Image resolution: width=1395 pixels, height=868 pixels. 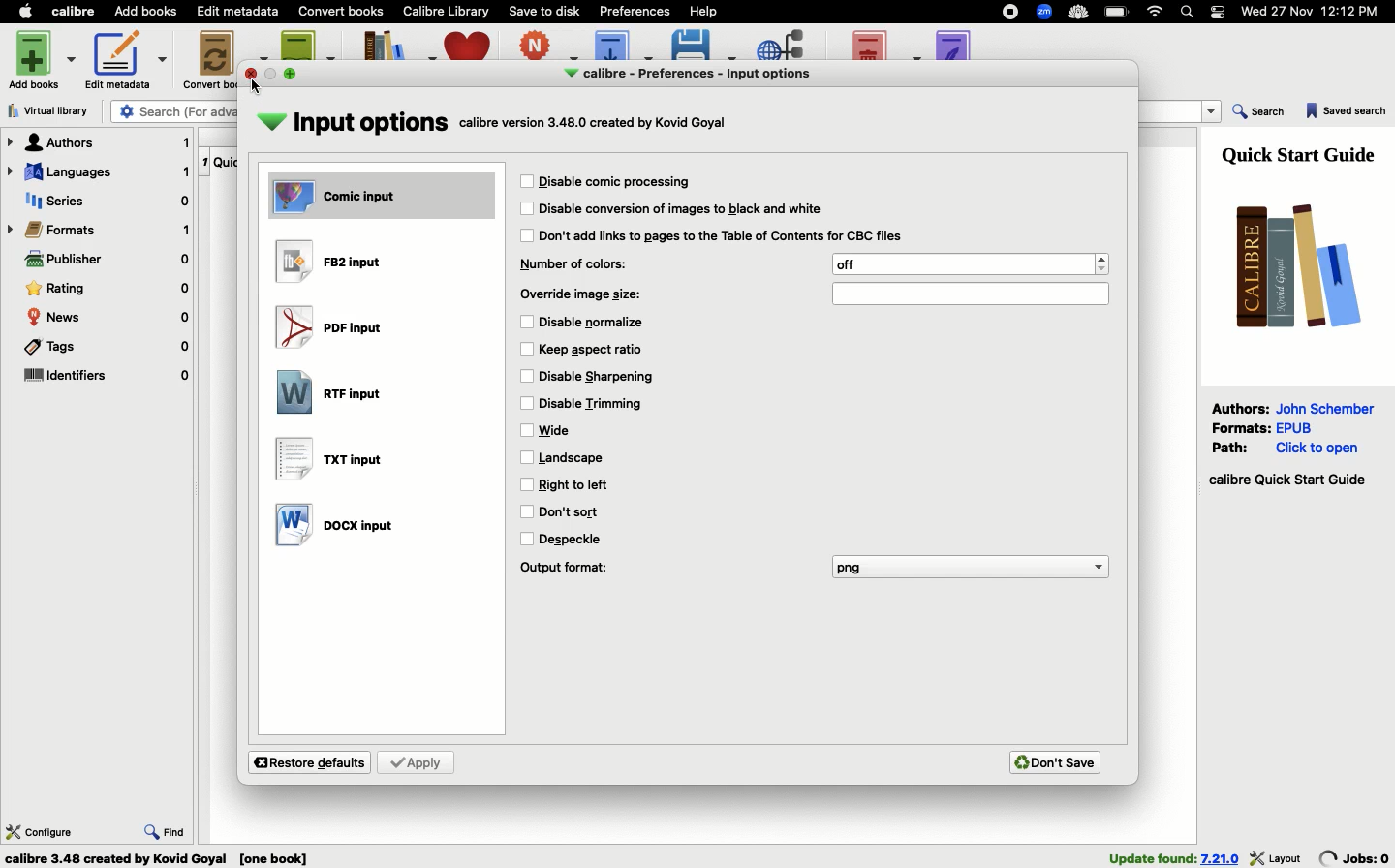 I want to click on Languages, so click(x=98, y=173).